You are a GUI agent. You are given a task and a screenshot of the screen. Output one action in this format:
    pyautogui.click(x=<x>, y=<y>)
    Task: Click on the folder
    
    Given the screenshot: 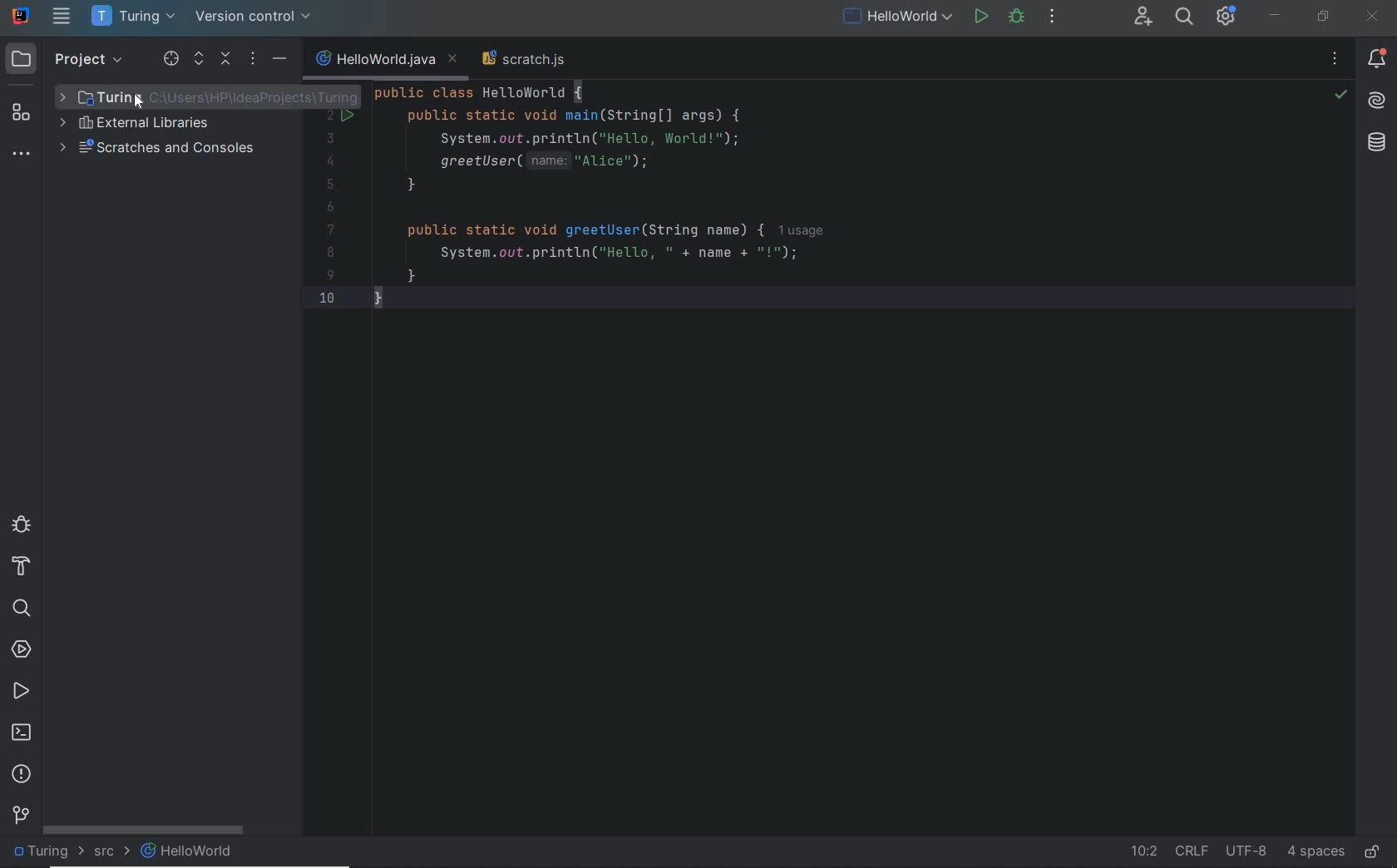 What is the action you would take?
    pyautogui.click(x=50, y=853)
    